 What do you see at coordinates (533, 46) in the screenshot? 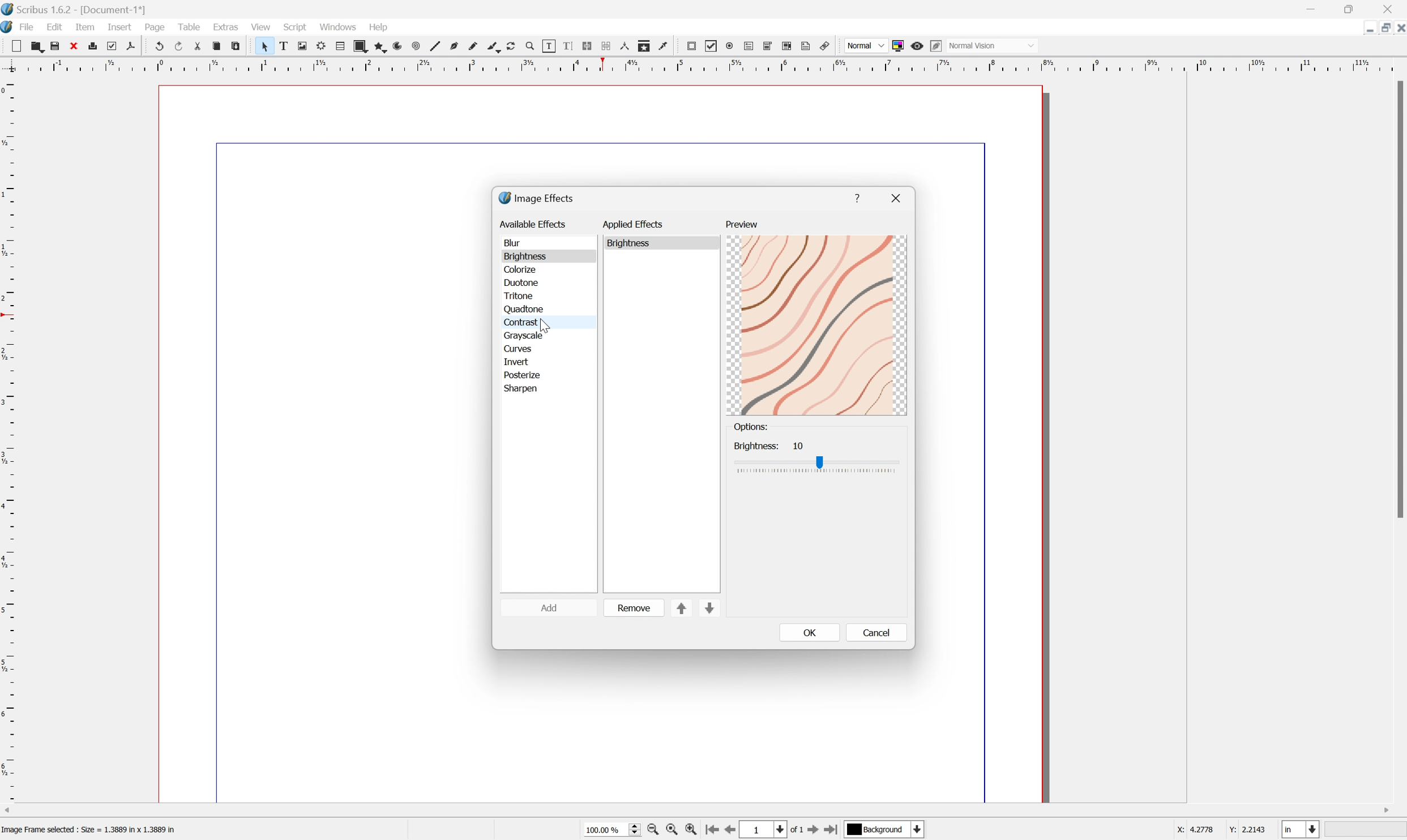
I see `Zoom in or out` at bounding box center [533, 46].